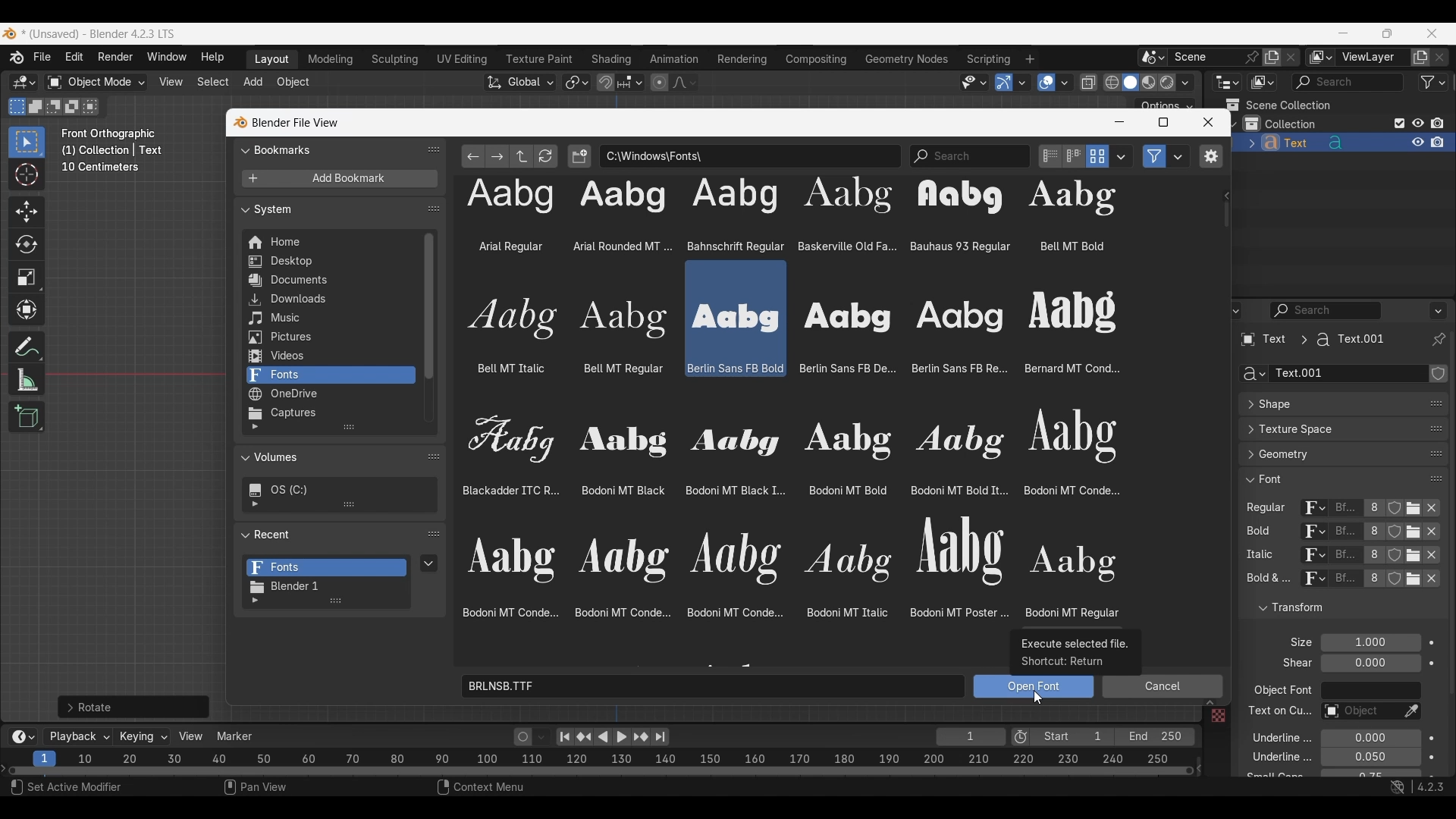  What do you see at coordinates (1410, 712) in the screenshot?
I see `Eyedropper data-block` at bounding box center [1410, 712].